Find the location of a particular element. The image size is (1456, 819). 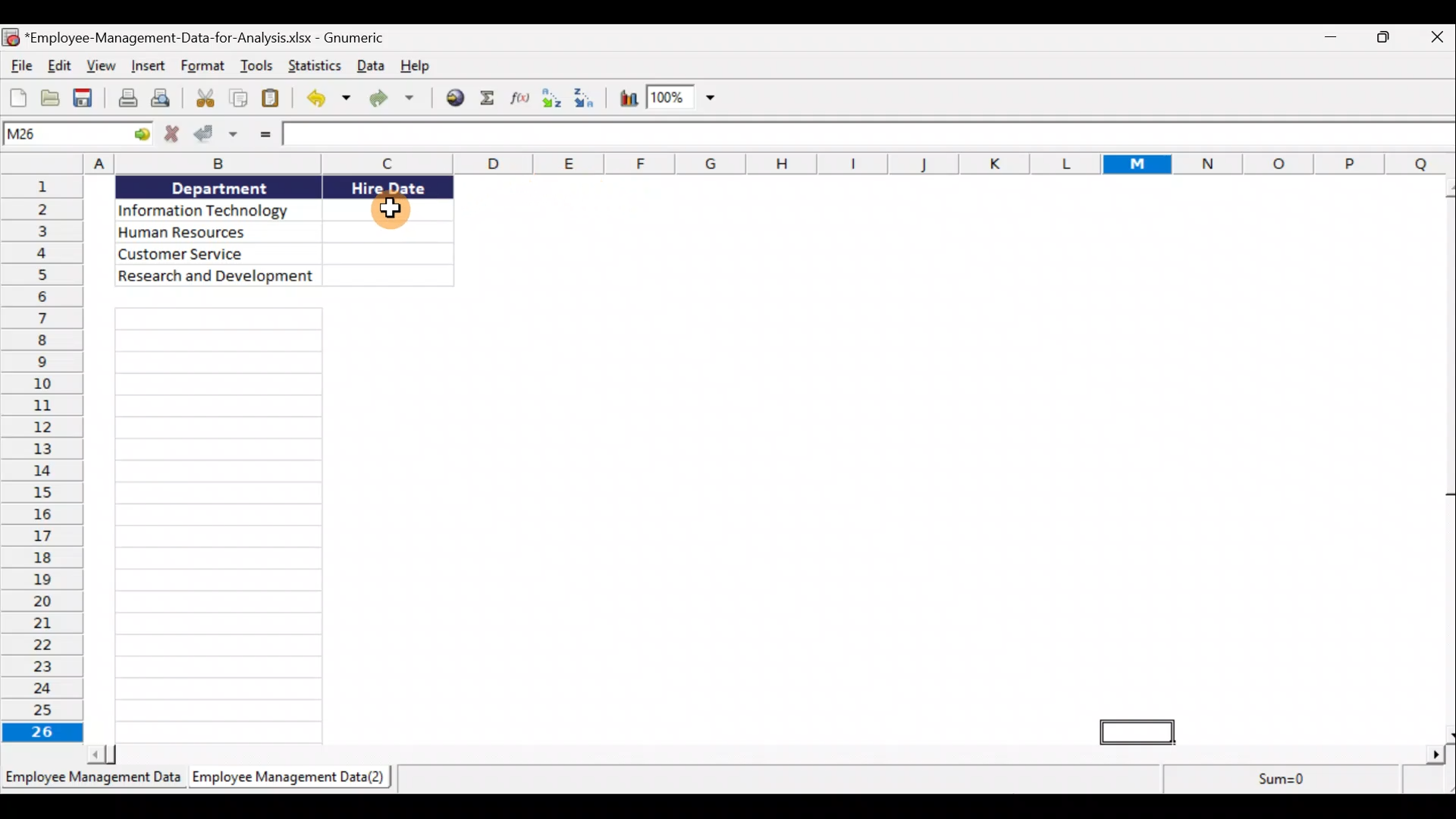

Format is located at coordinates (203, 68).